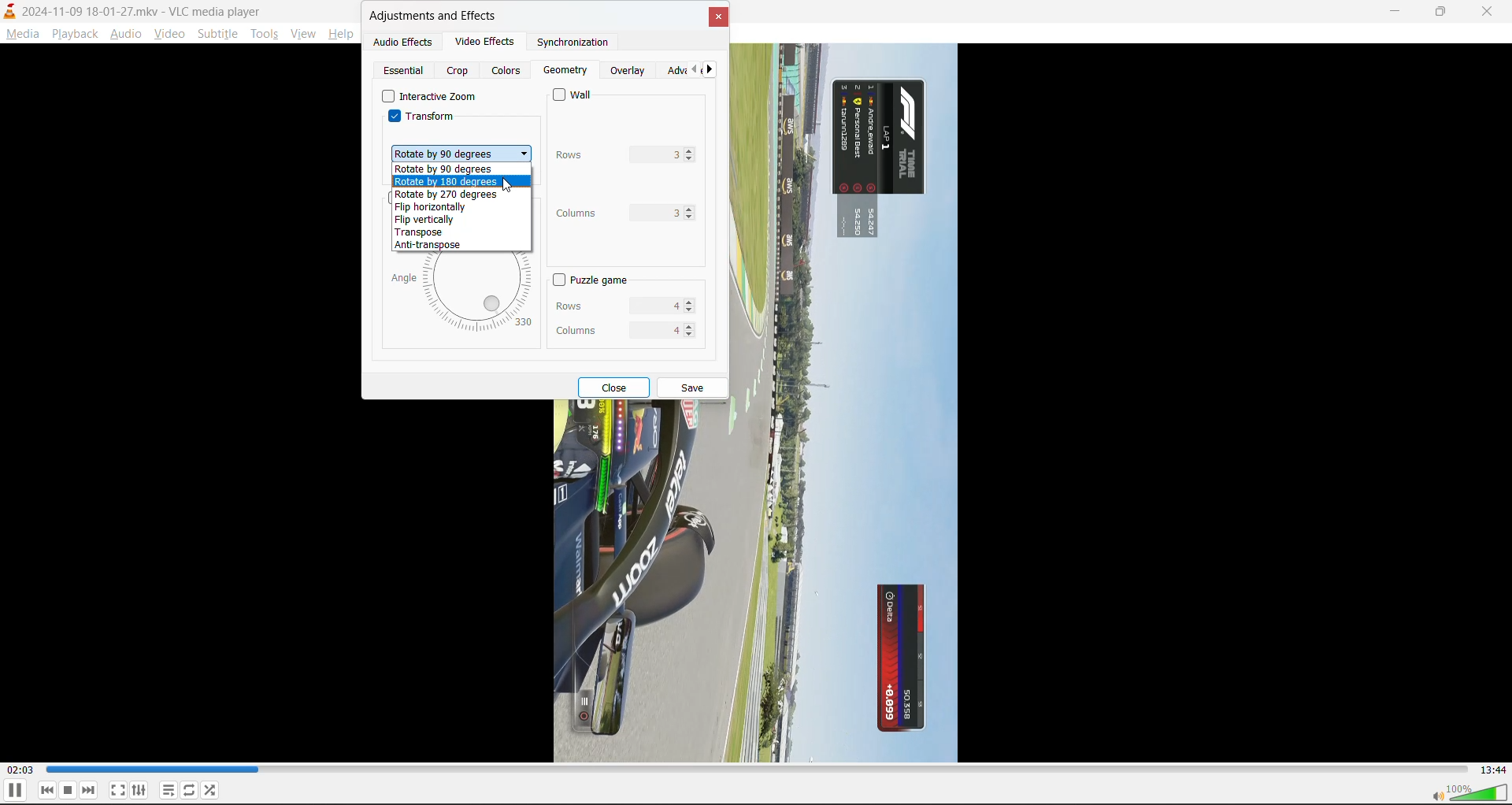 The width and height of the screenshot is (1512, 805). What do you see at coordinates (69, 790) in the screenshot?
I see `stop` at bounding box center [69, 790].